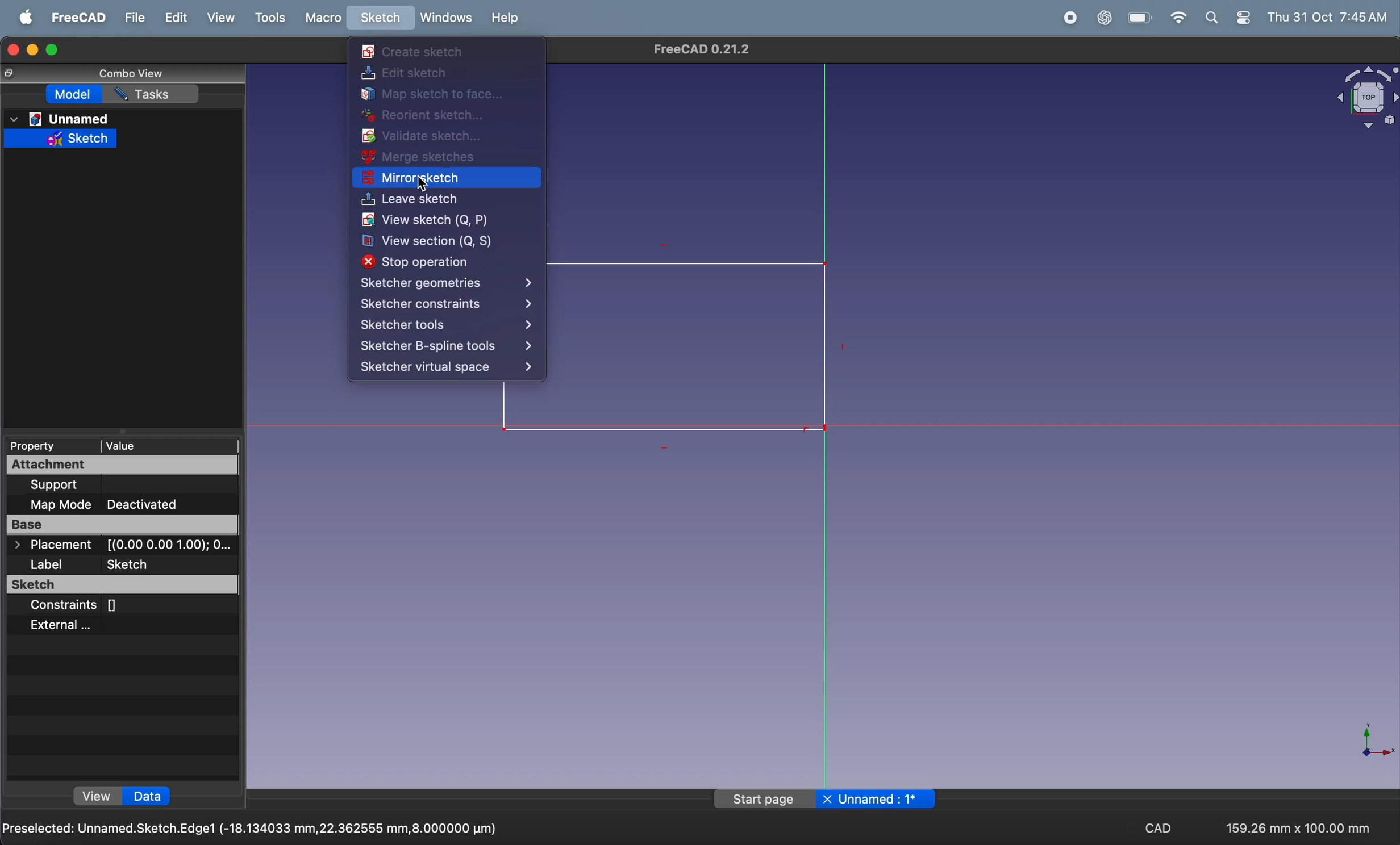 This screenshot has height=845, width=1400. I want to click on apple widgets, so click(1227, 19).